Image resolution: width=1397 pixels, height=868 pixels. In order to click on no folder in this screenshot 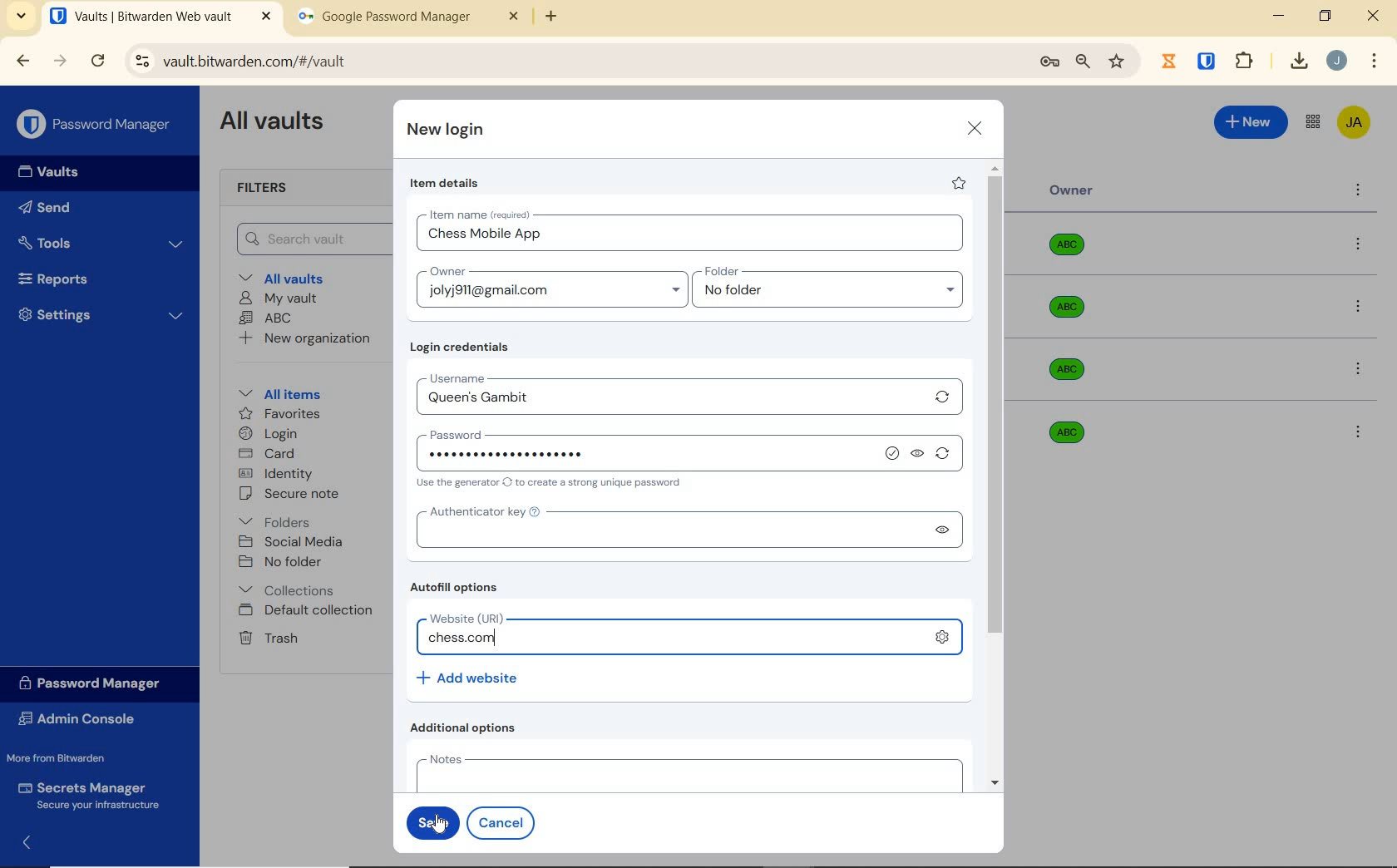, I will do `click(834, 294)`.